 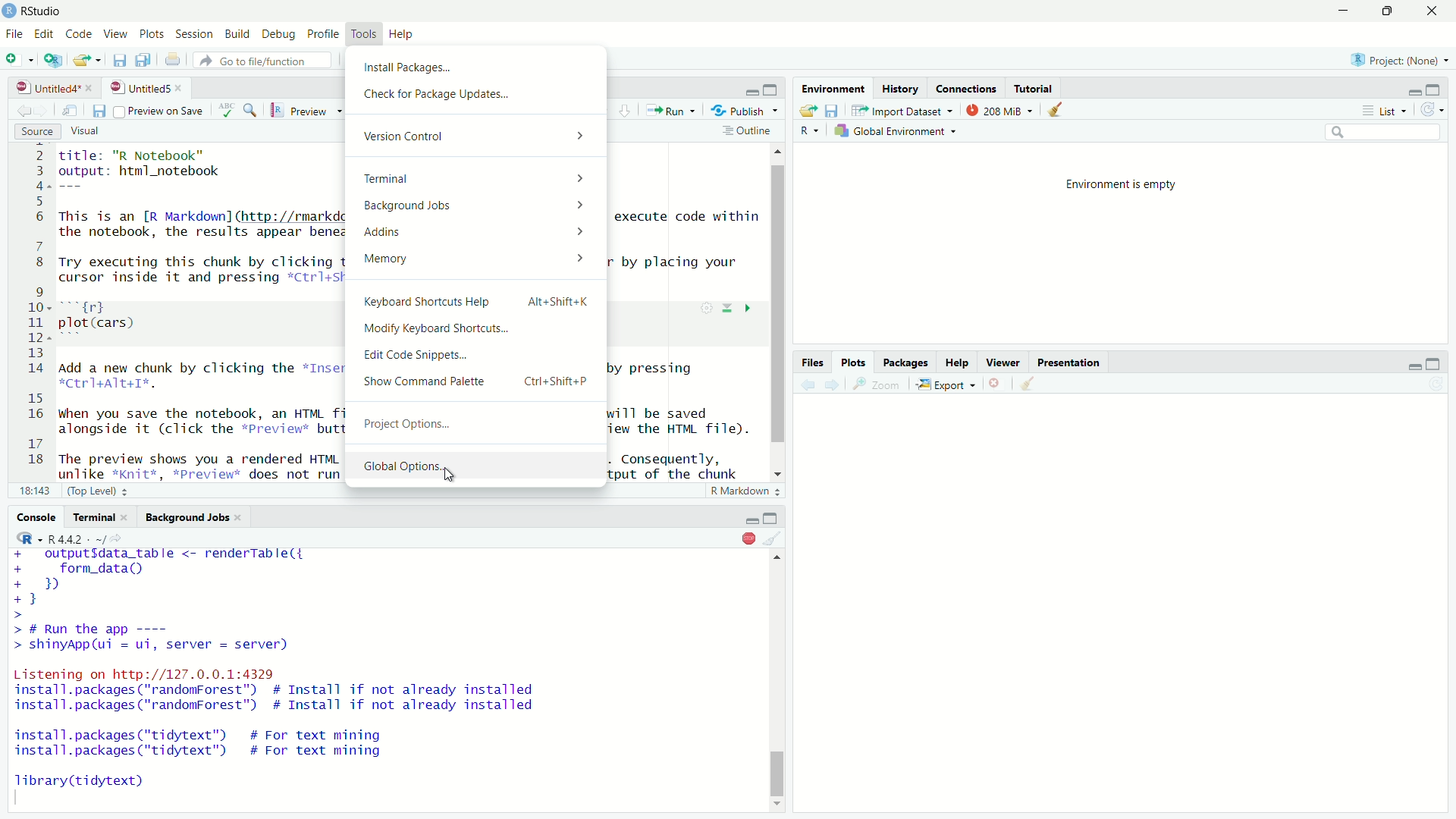 I want to click on Environment is empty, so click(x=1127, y=185).